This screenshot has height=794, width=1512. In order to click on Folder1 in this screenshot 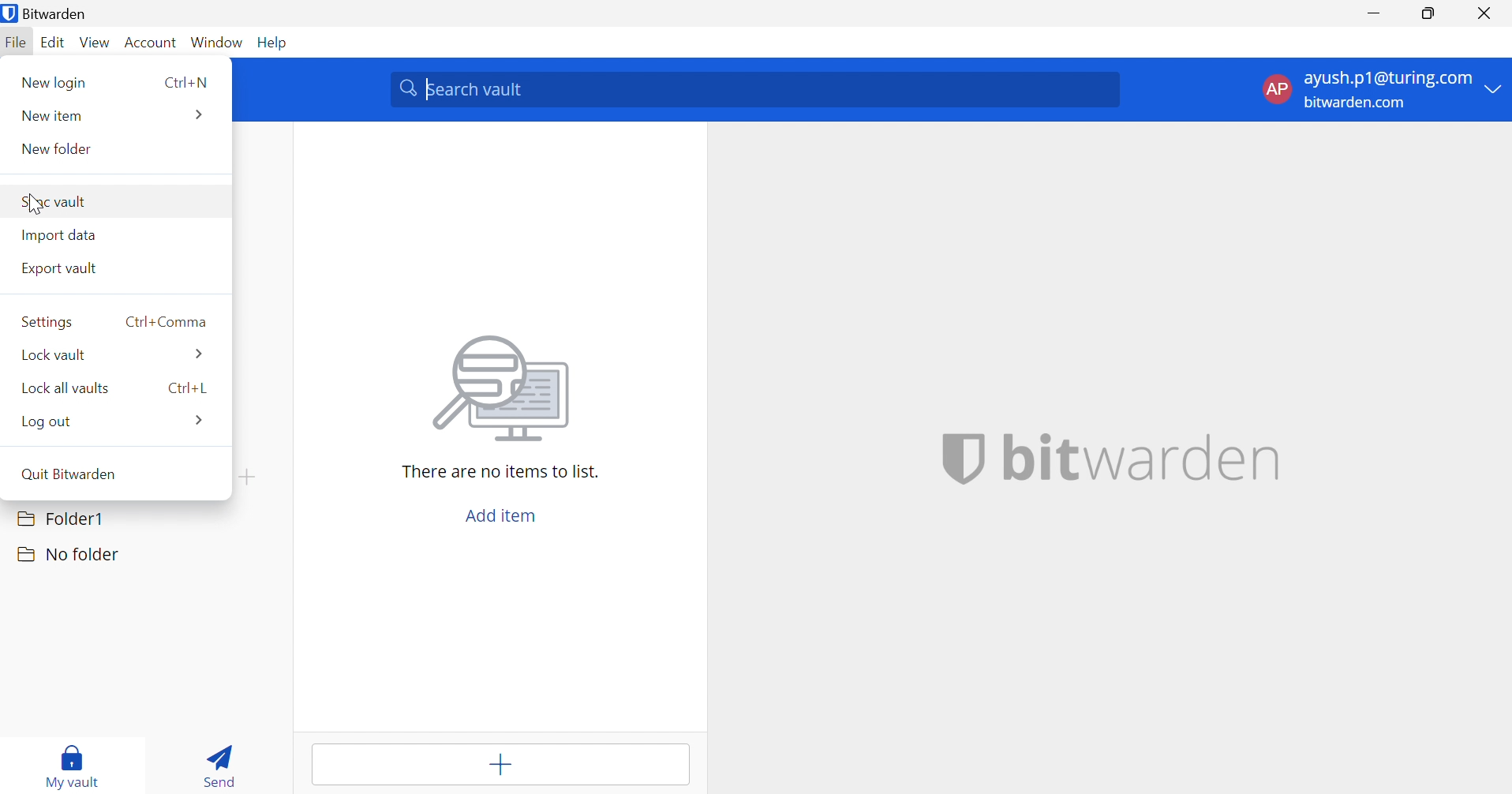, I will do `click(60, 519)`.